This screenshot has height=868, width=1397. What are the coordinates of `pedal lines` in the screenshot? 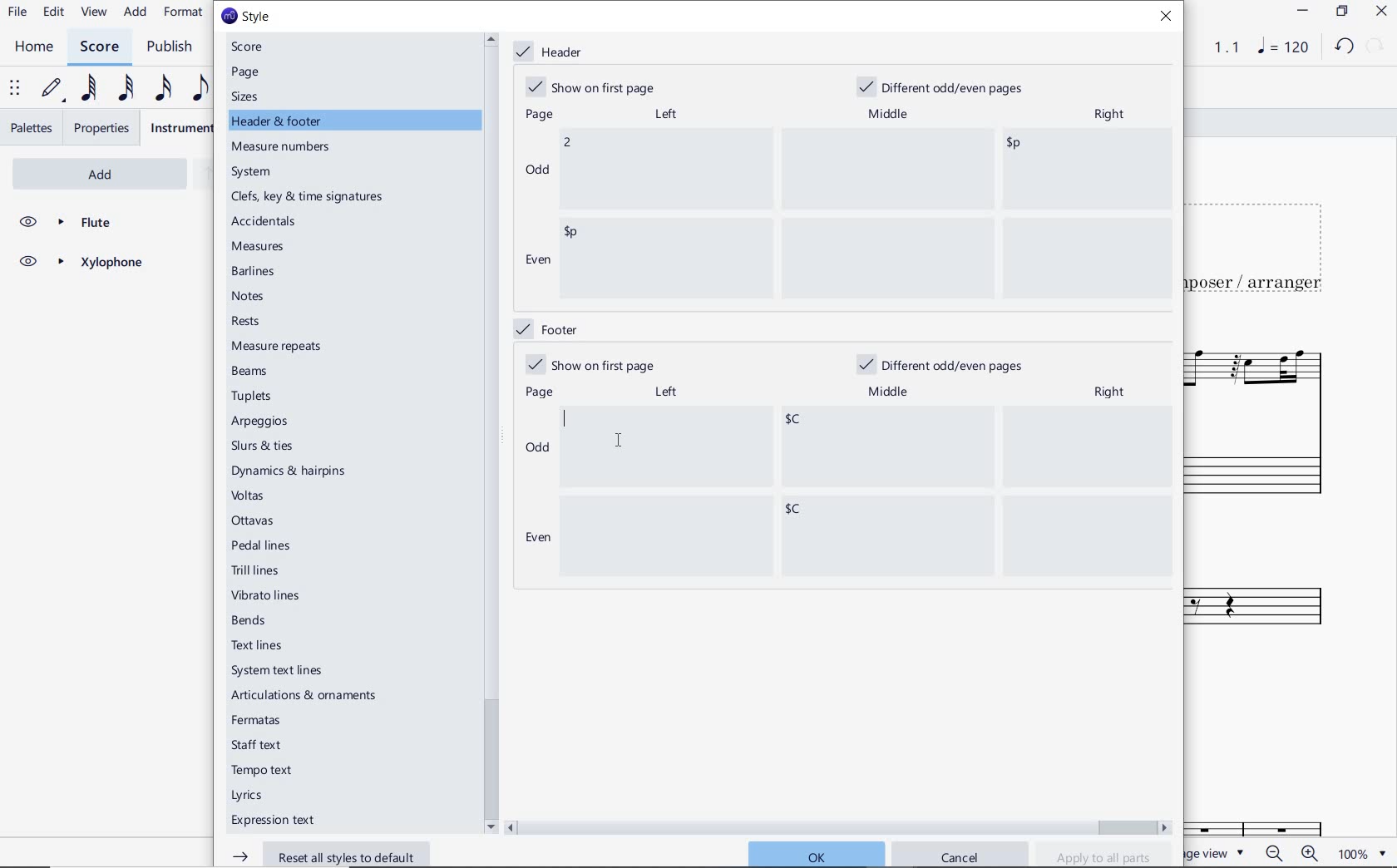 It's located at (263, 545).